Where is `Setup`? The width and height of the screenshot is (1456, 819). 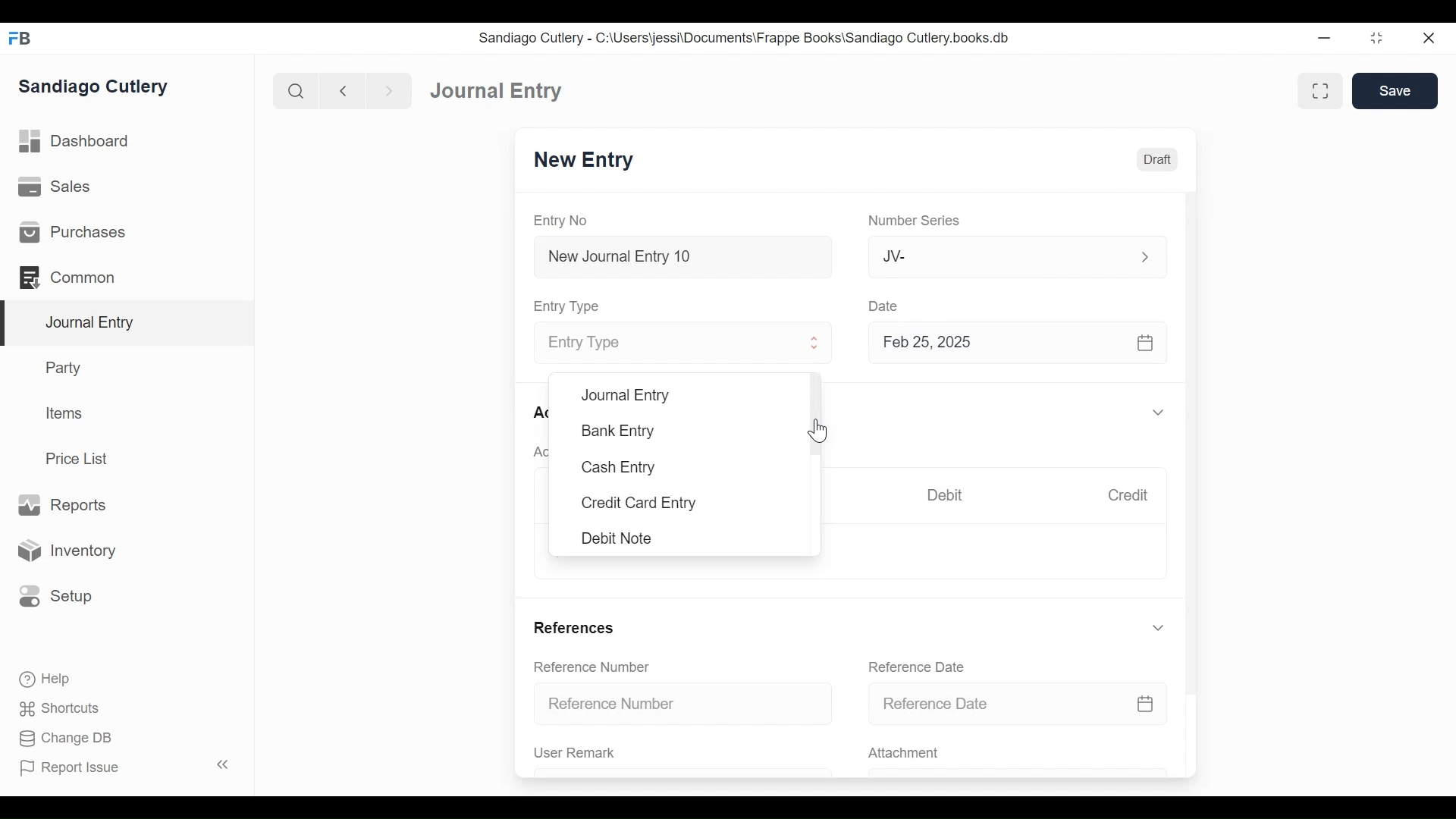
Setup is located at coordinates (56, 595).